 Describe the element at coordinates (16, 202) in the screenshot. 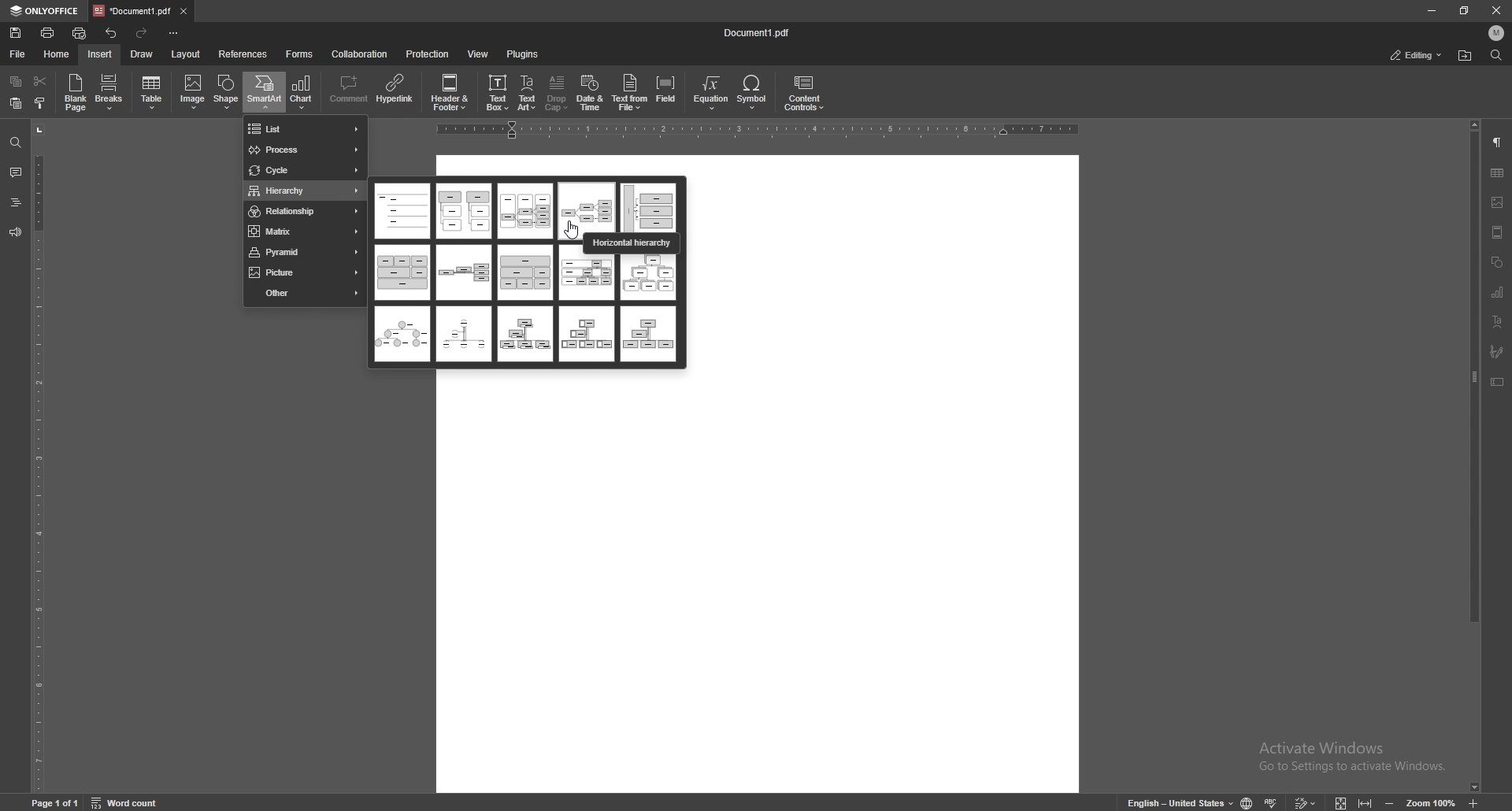

I see `headings` at that location.